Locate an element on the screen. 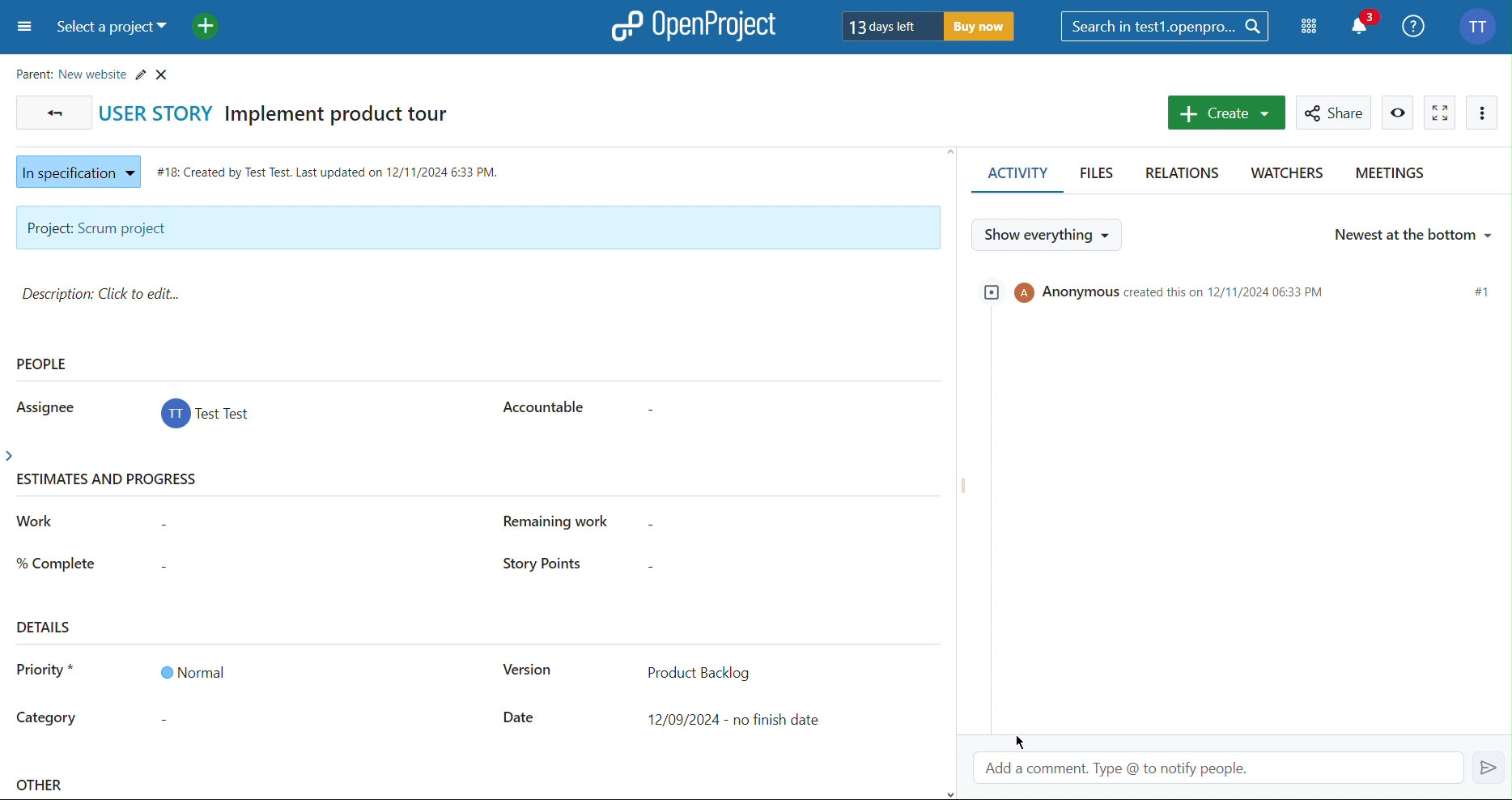 This screenshot has height=800, width=1512. Created by date time is located at coordinates (332, 168).